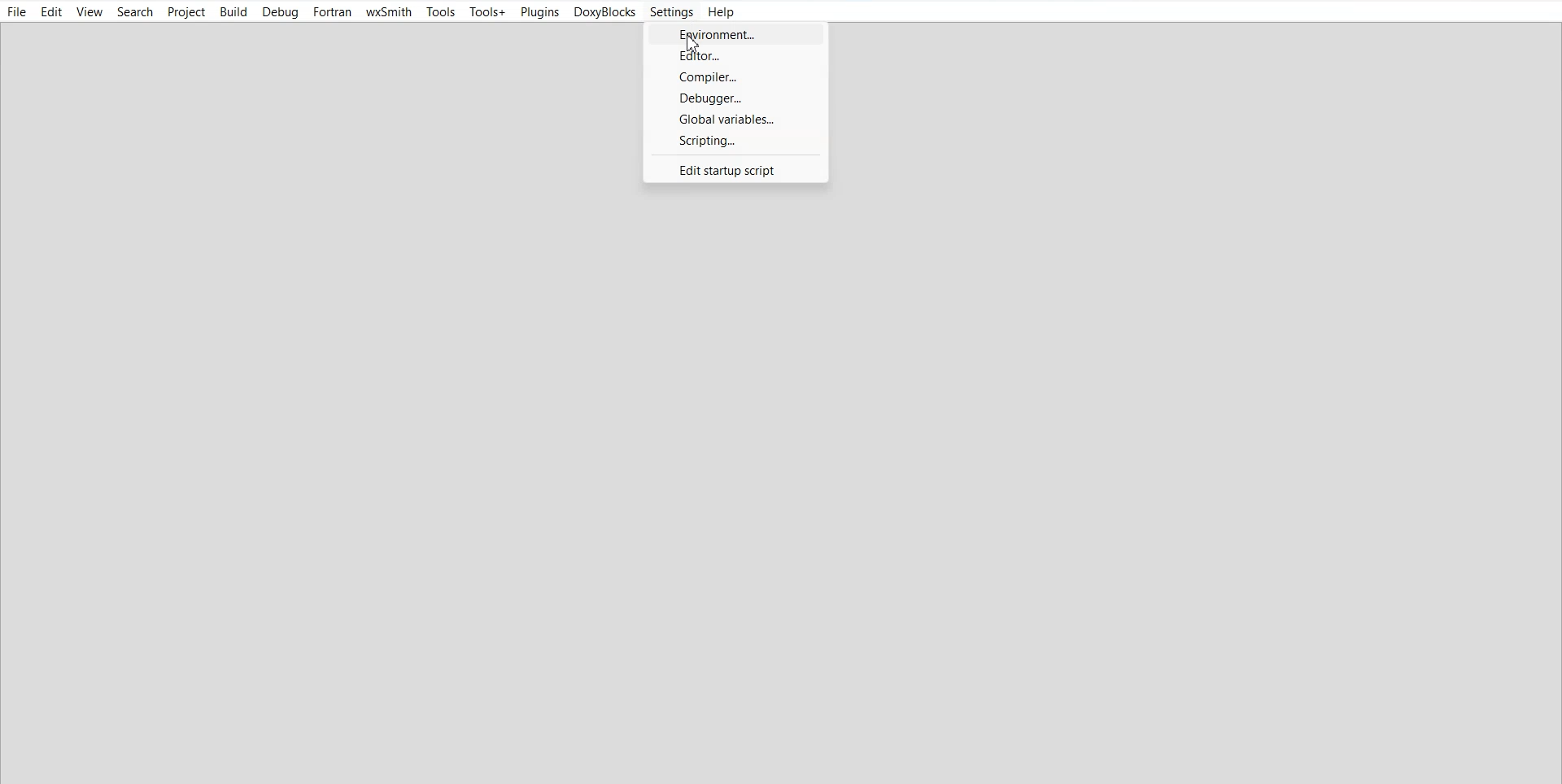 The image size is (1562, 784). I want to click on Tools+, so click(487, 12).